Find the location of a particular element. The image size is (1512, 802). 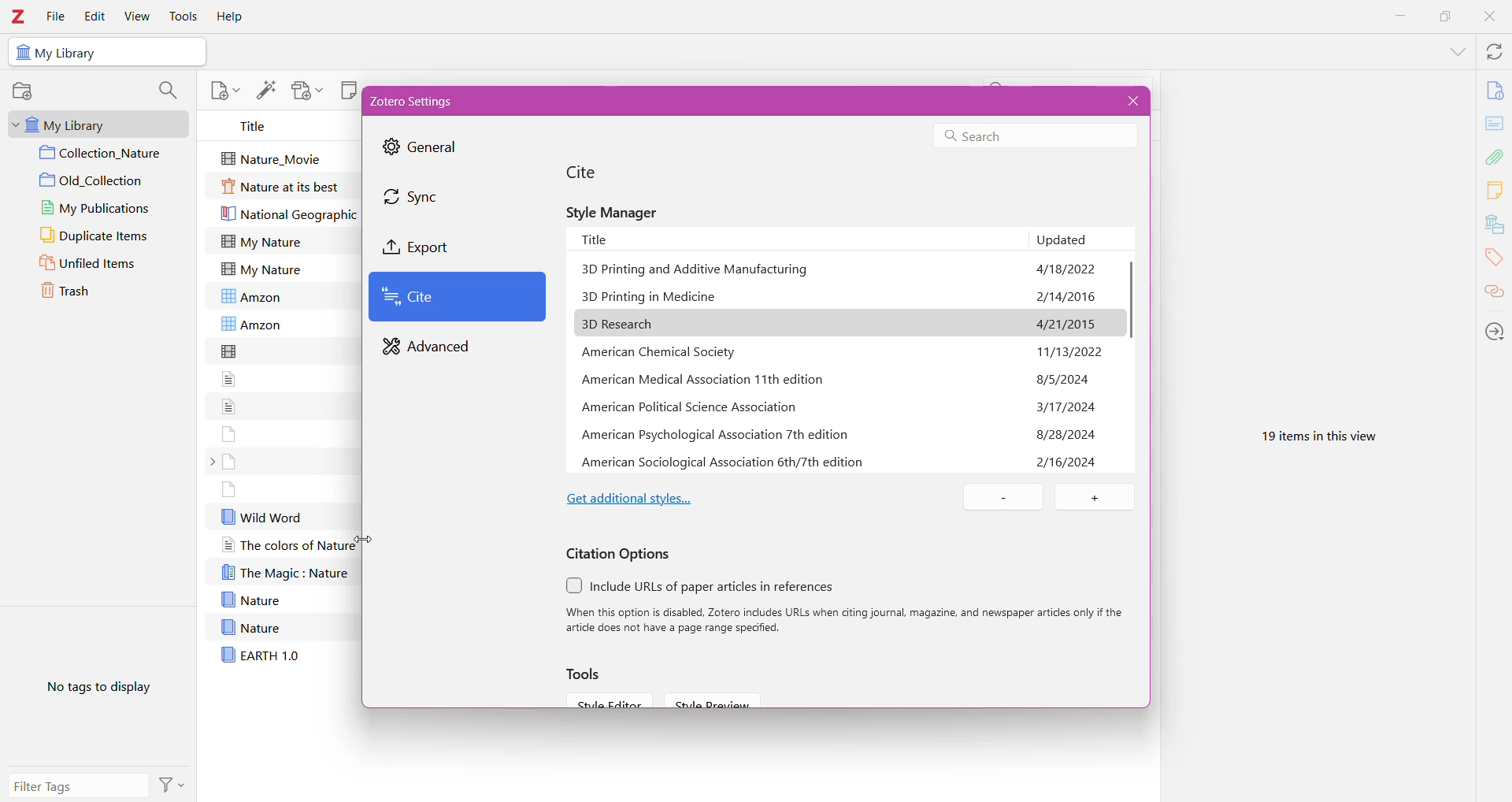

My Publications is located at coordinates (100, 207).